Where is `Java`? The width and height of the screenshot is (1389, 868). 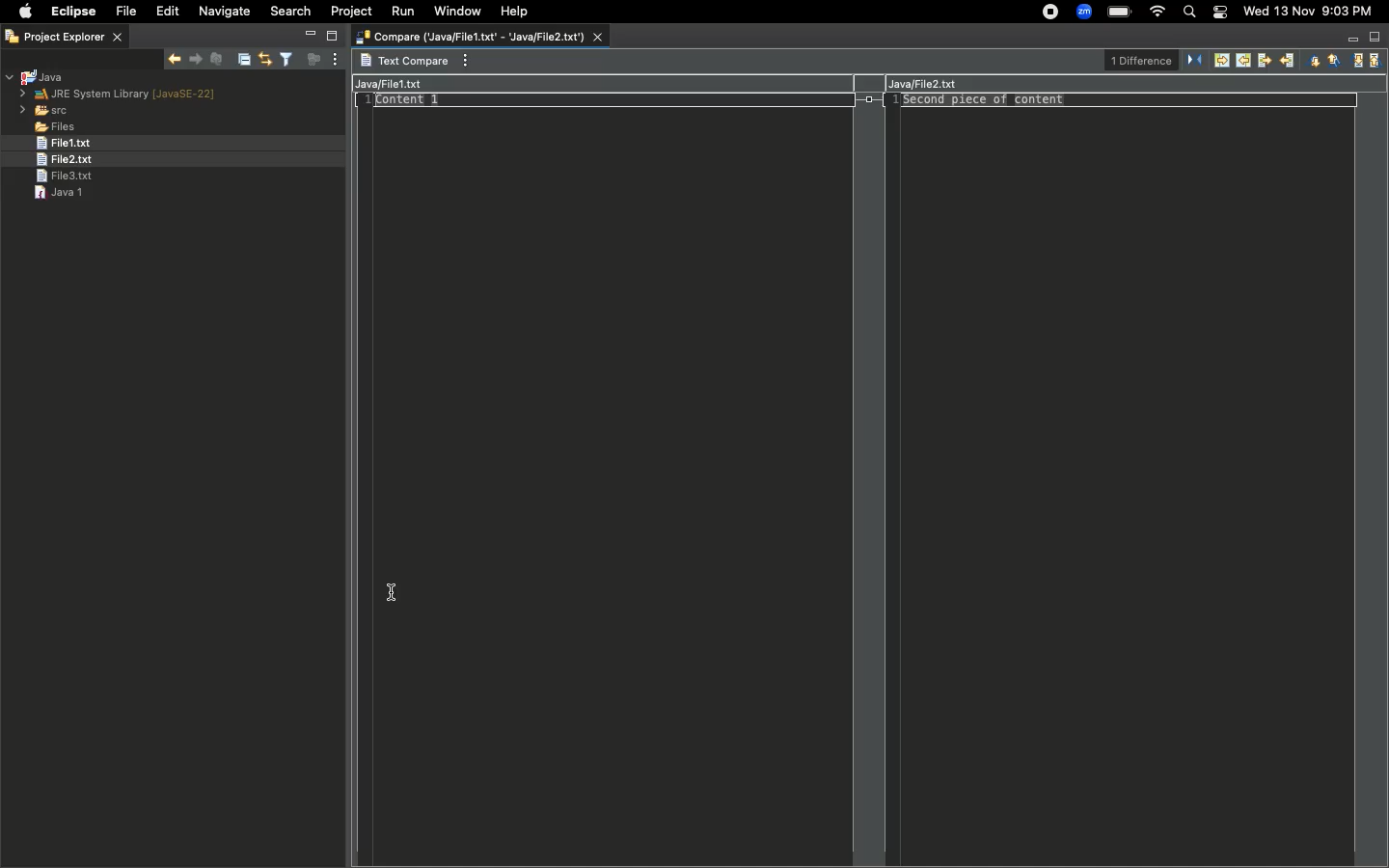 Java is located at coordinates (38, 77).